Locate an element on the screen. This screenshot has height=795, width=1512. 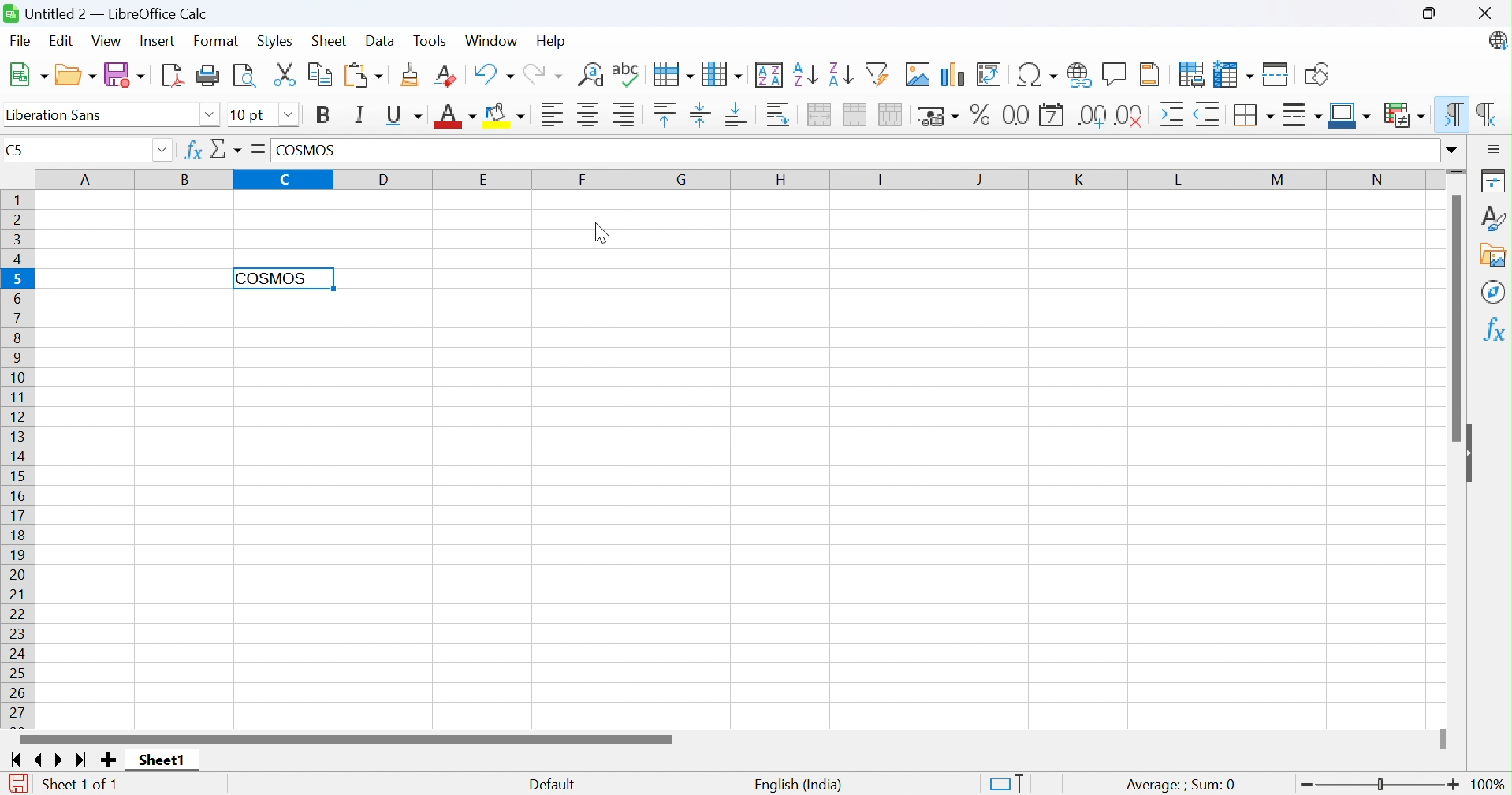
Align top is located at coordinates (667, 114).